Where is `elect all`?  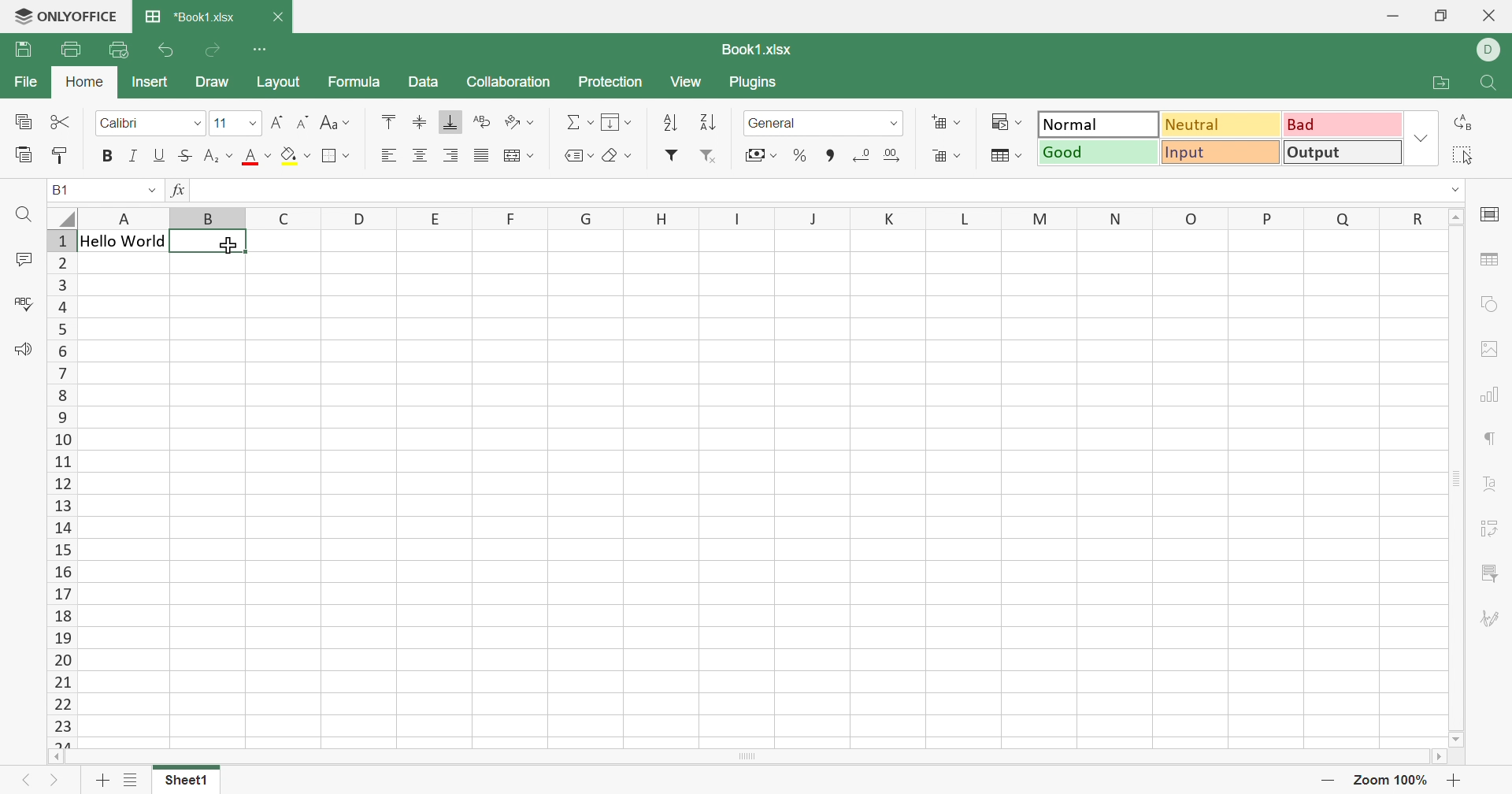 elect all is located at coordinates (1469, 155).